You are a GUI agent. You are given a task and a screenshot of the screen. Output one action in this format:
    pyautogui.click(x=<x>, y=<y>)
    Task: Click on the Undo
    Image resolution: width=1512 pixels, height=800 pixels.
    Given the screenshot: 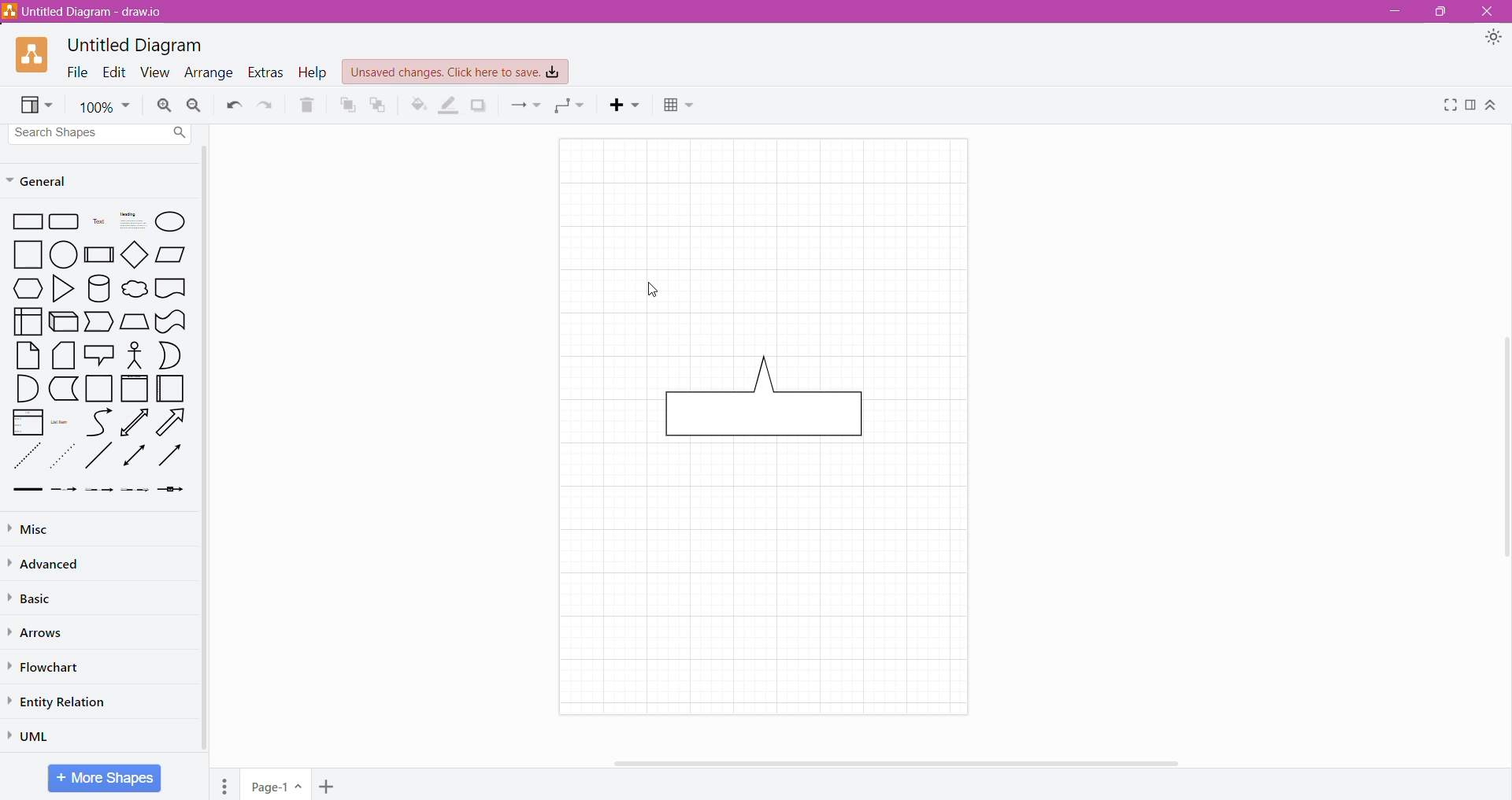 What is the action you would take?
    pyautogui.click(x=234, y=106)
    